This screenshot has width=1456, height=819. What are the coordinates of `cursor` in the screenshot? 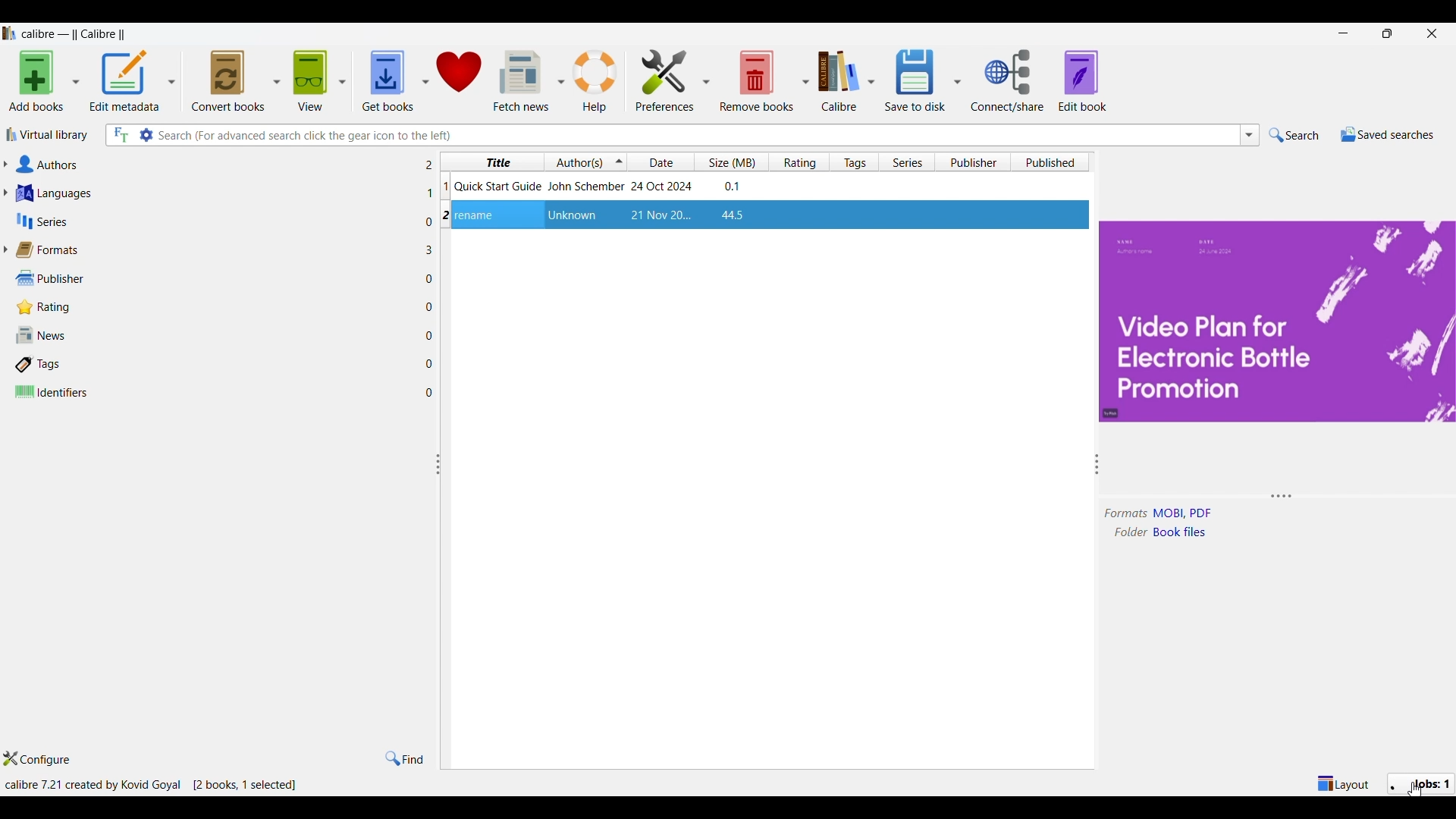 It's located at (1412, 791).